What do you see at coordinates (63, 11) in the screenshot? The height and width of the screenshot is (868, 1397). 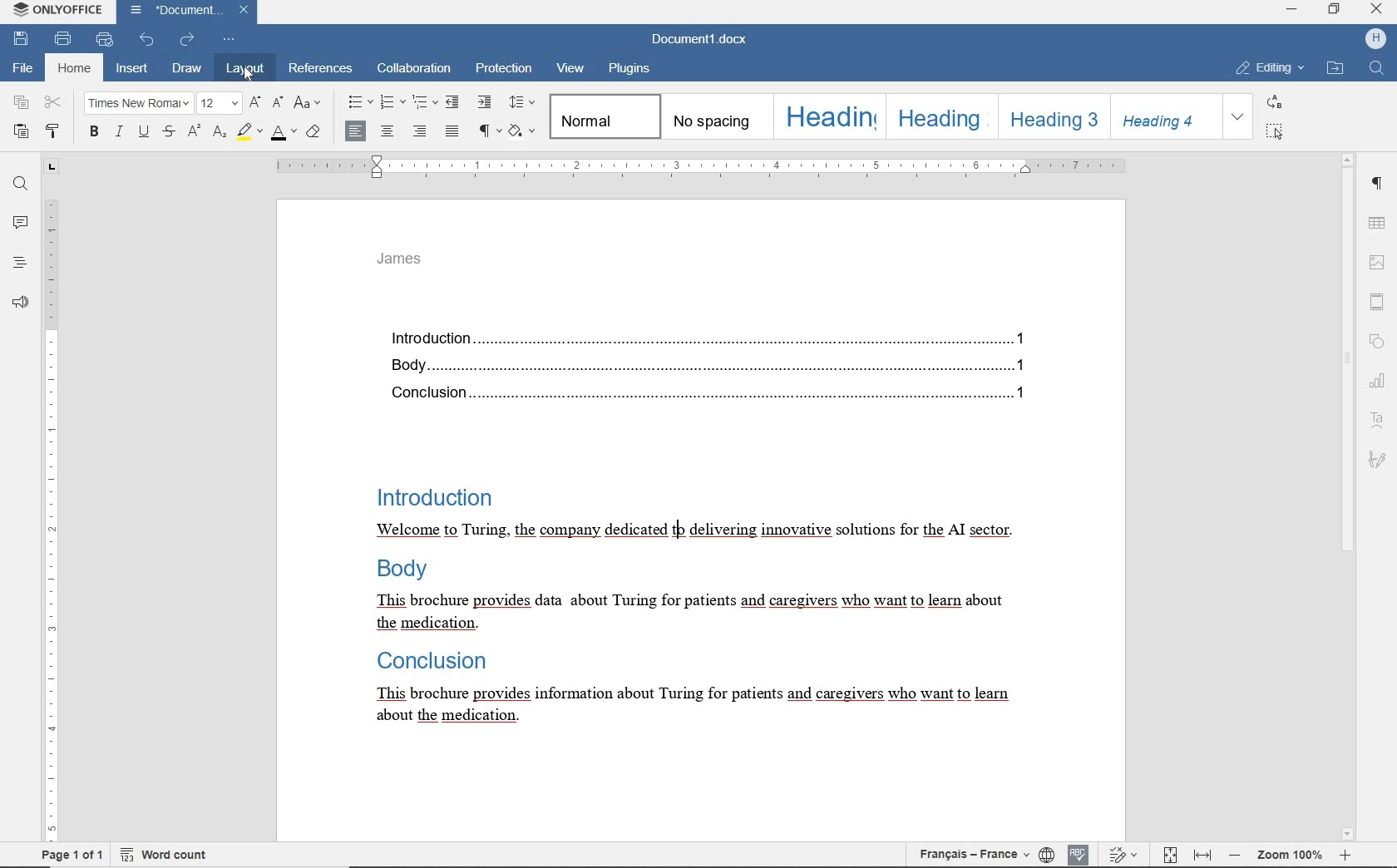 I see `system anme` at bounding box center [63, 11].